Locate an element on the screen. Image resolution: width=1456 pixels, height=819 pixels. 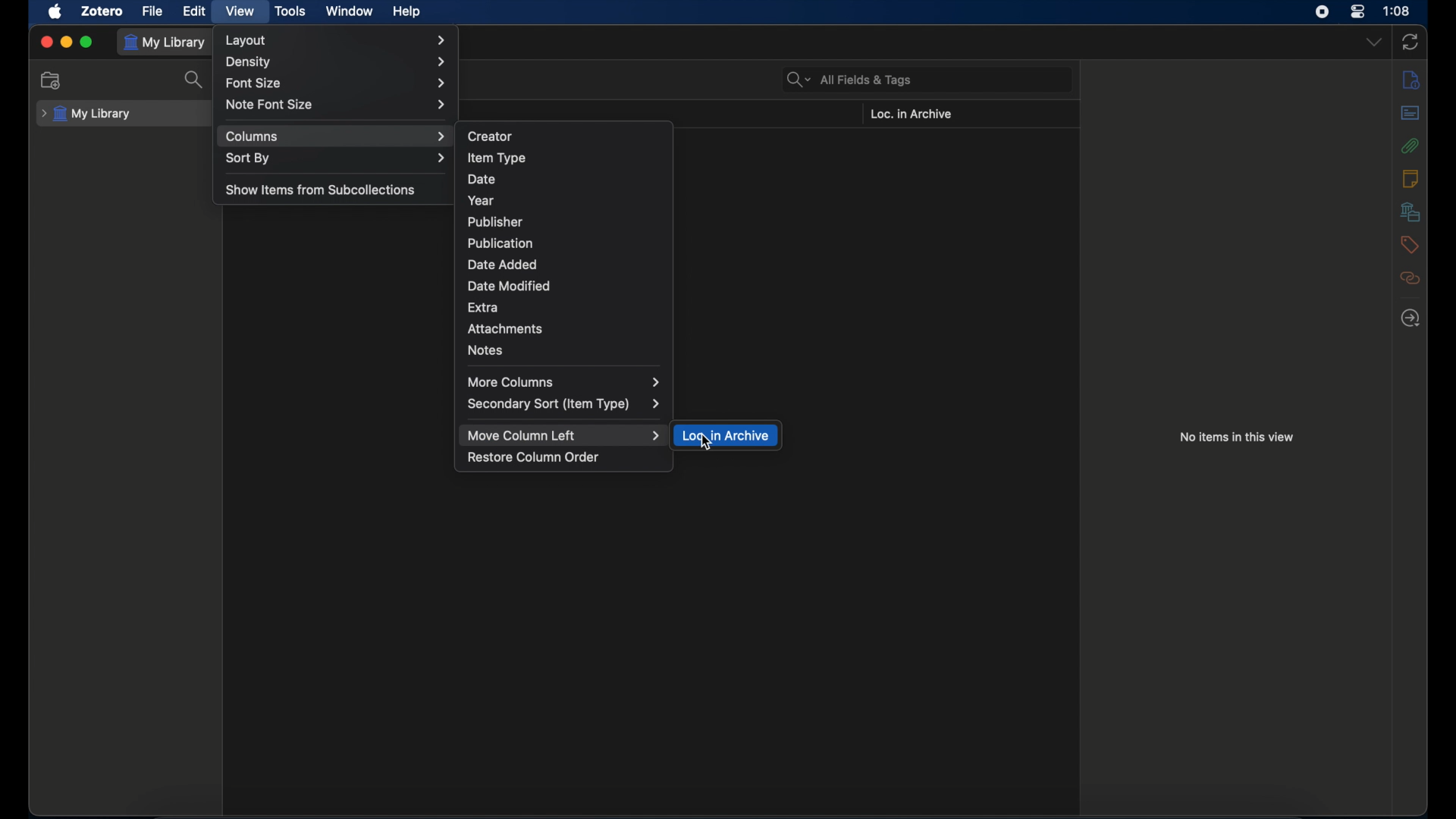
search bar is located at coordinates (849, 79).